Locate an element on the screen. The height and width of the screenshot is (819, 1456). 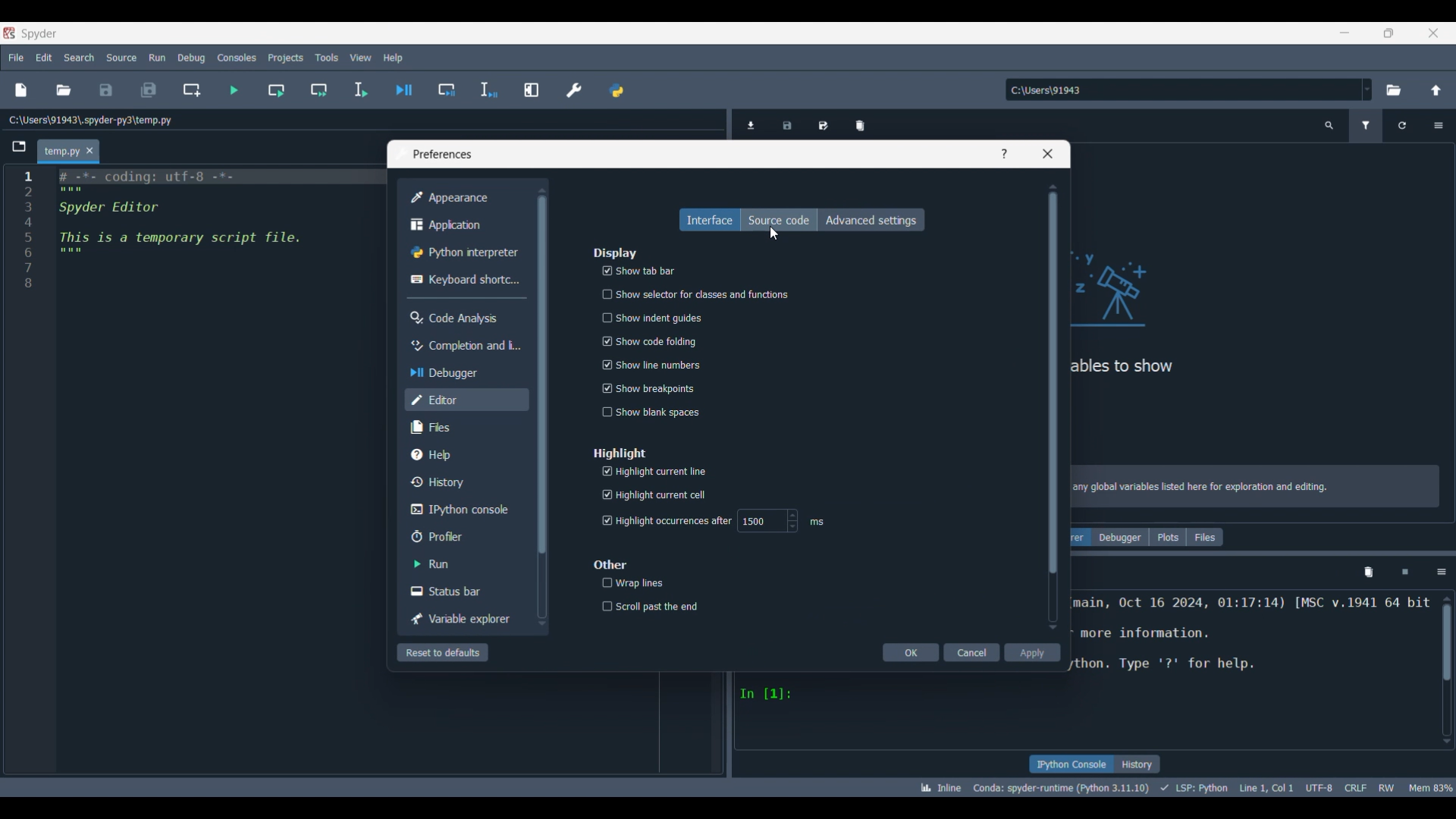
Remove all variables is located at coordinates (860, 126).